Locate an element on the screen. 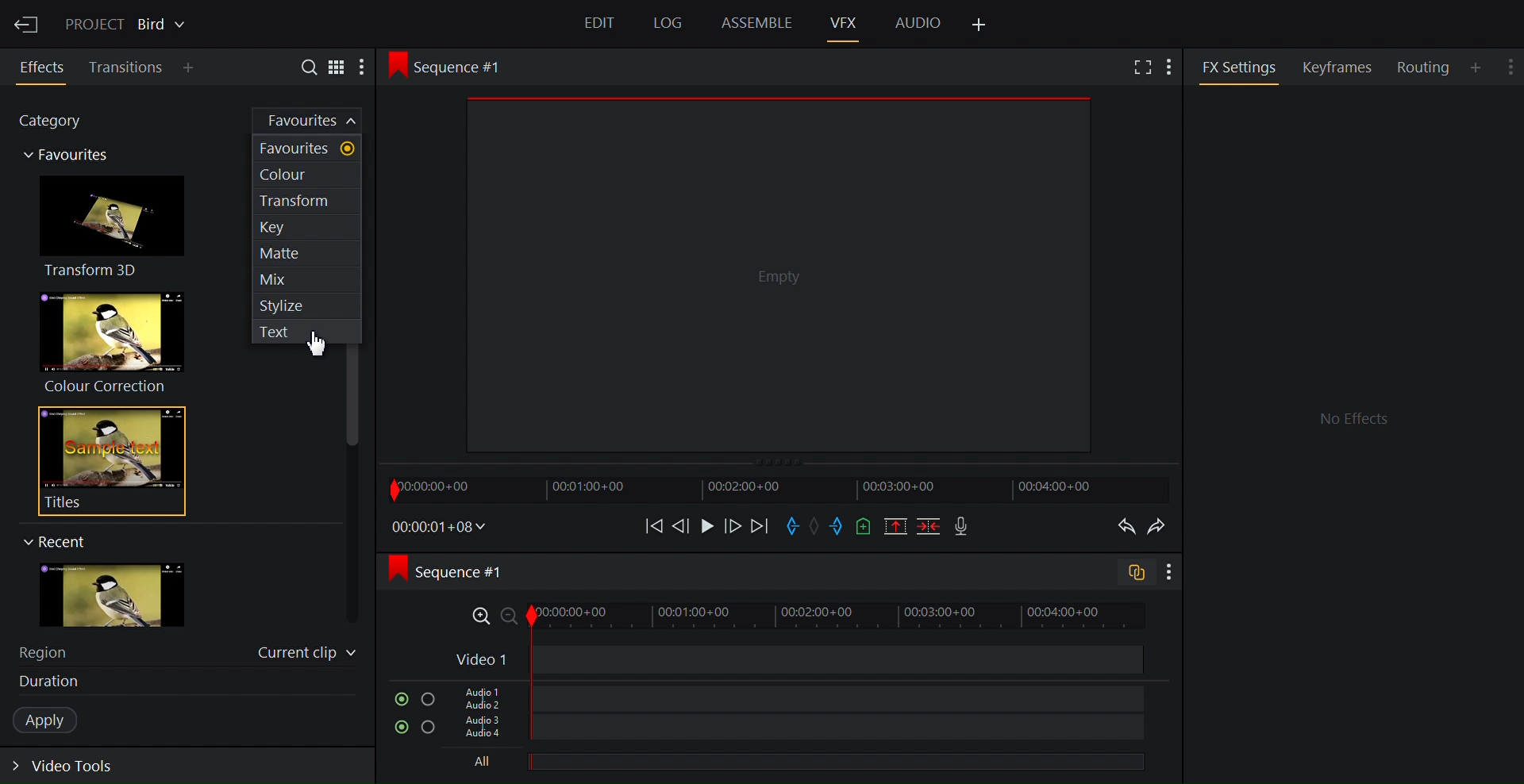  Mark out is located at coordinates (837, 527).